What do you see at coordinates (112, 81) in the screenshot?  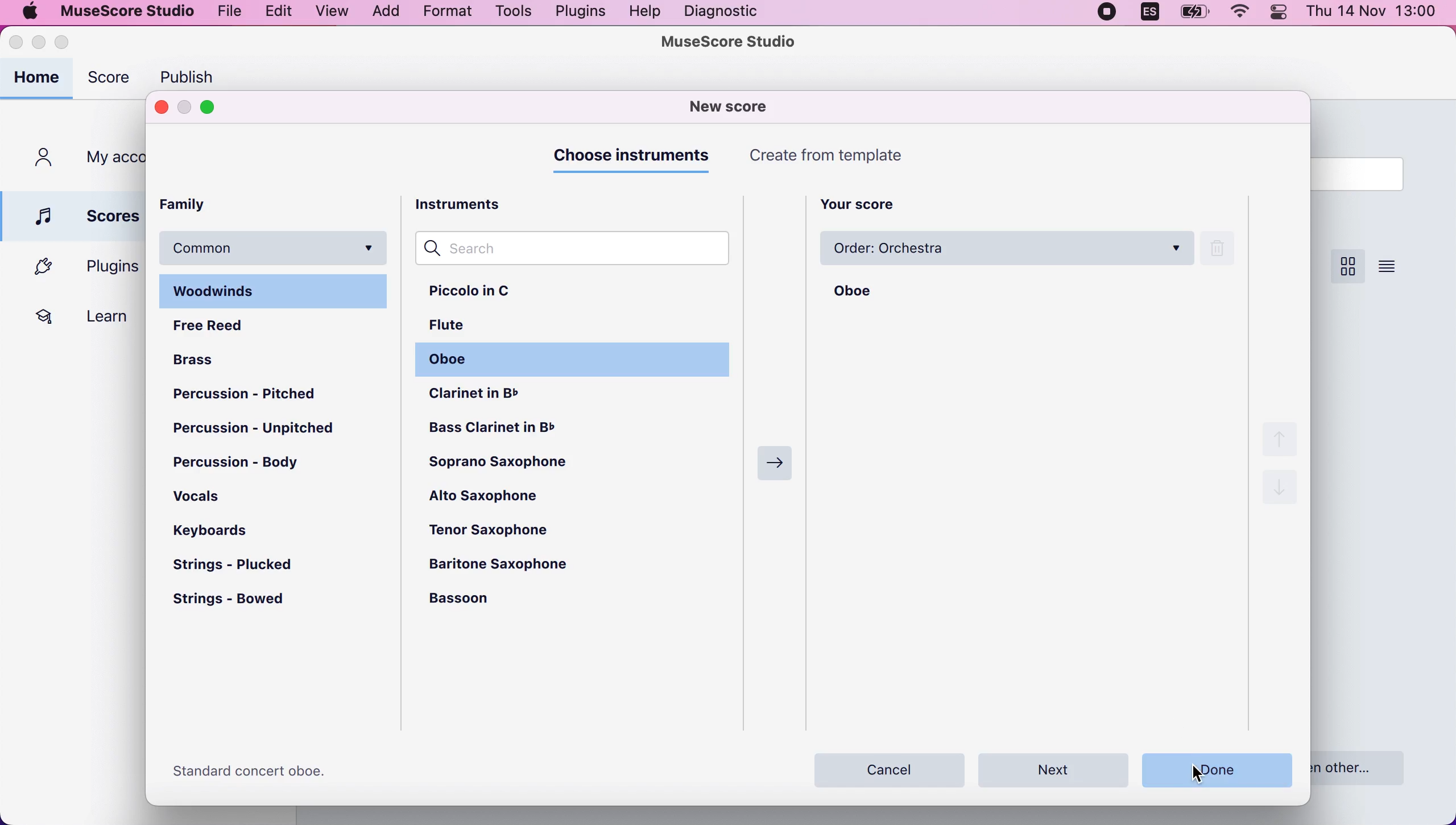 I see `score` at bounding box center [112, 81].